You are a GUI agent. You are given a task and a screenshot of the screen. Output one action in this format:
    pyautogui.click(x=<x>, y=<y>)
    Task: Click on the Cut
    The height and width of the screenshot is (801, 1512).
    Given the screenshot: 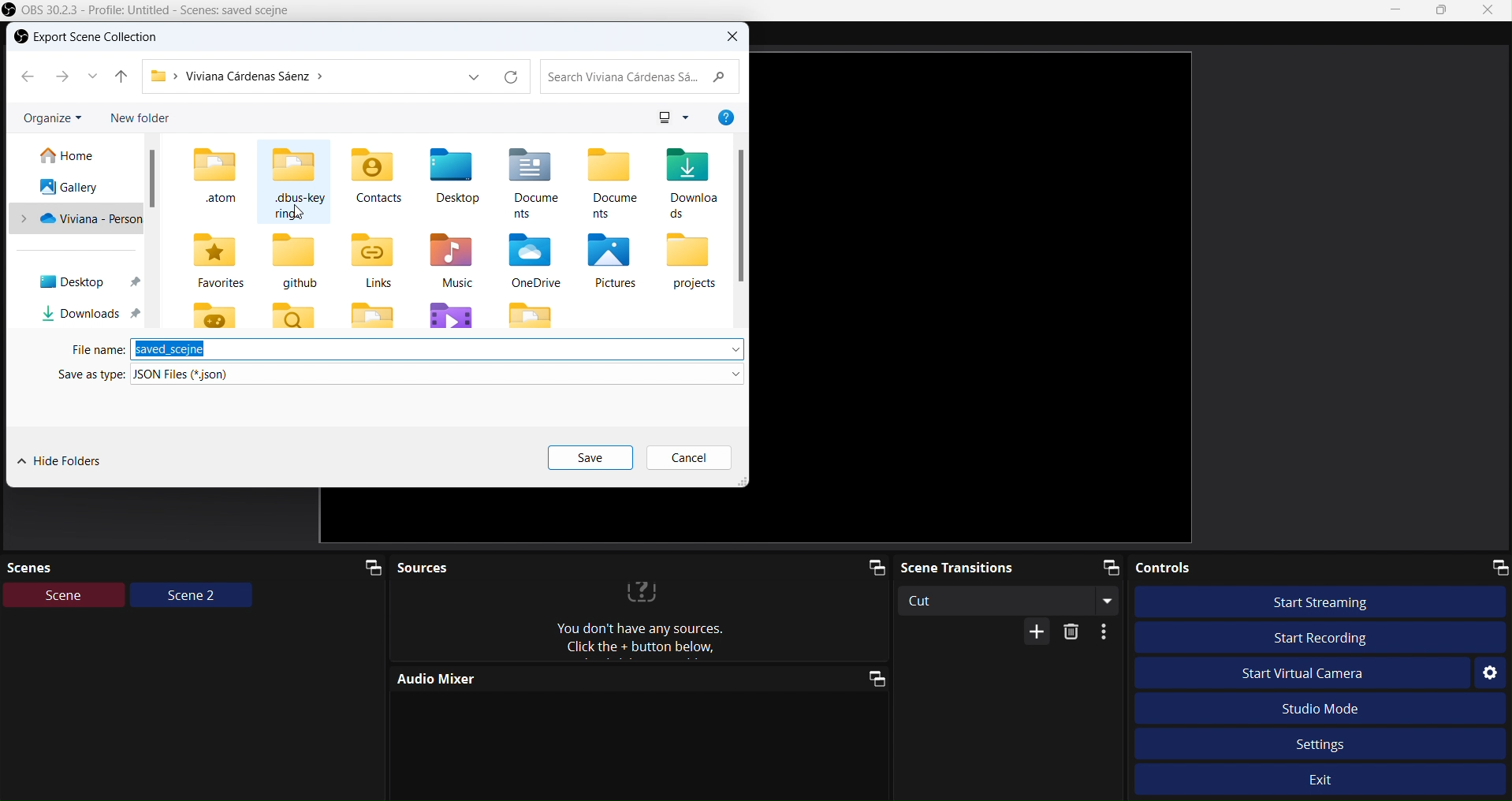 What is the action you would take?
    pyautogui.click(x=1014, y=600)
    